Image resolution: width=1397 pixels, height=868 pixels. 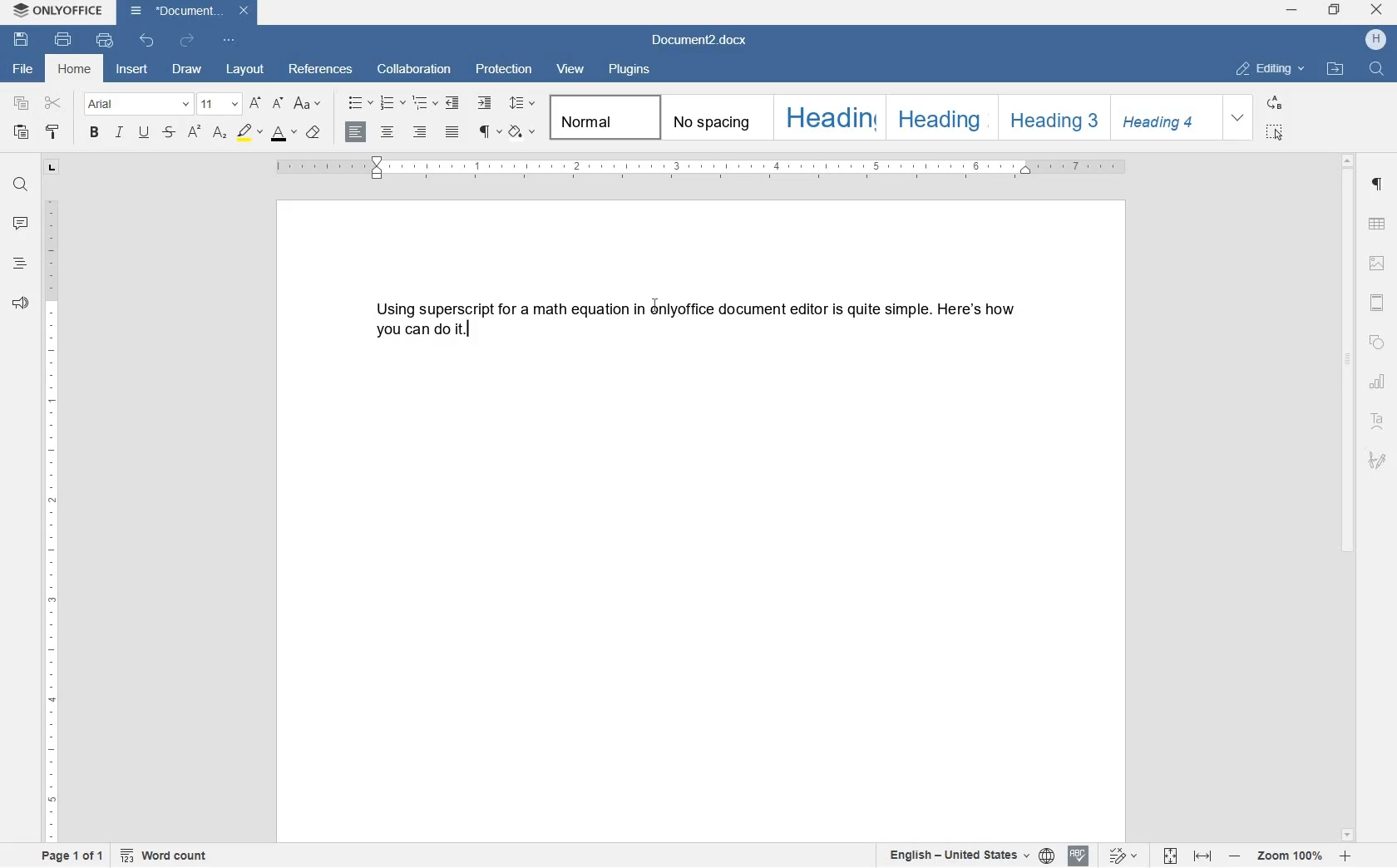 I want to click on page 1 of 1, so click(x=74, y=858).